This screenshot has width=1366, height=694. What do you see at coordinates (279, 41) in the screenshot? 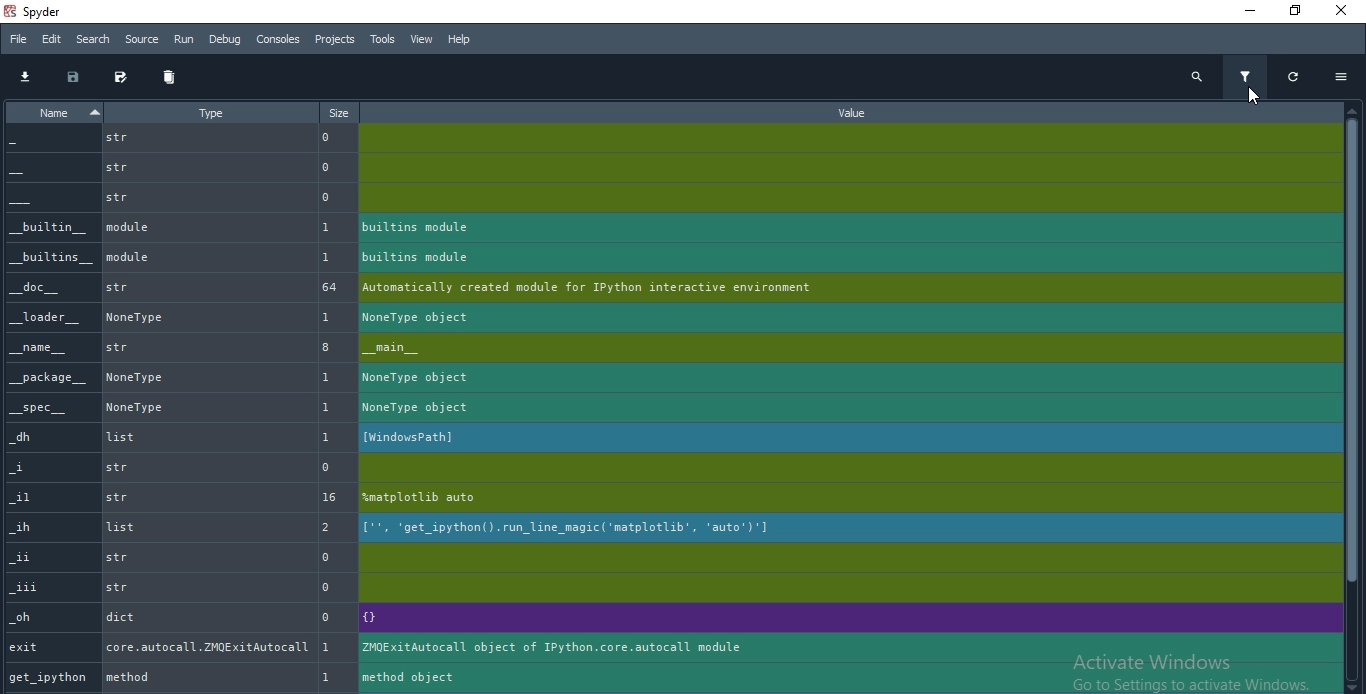
I see `Consoles` at bounding box center [279, 41].